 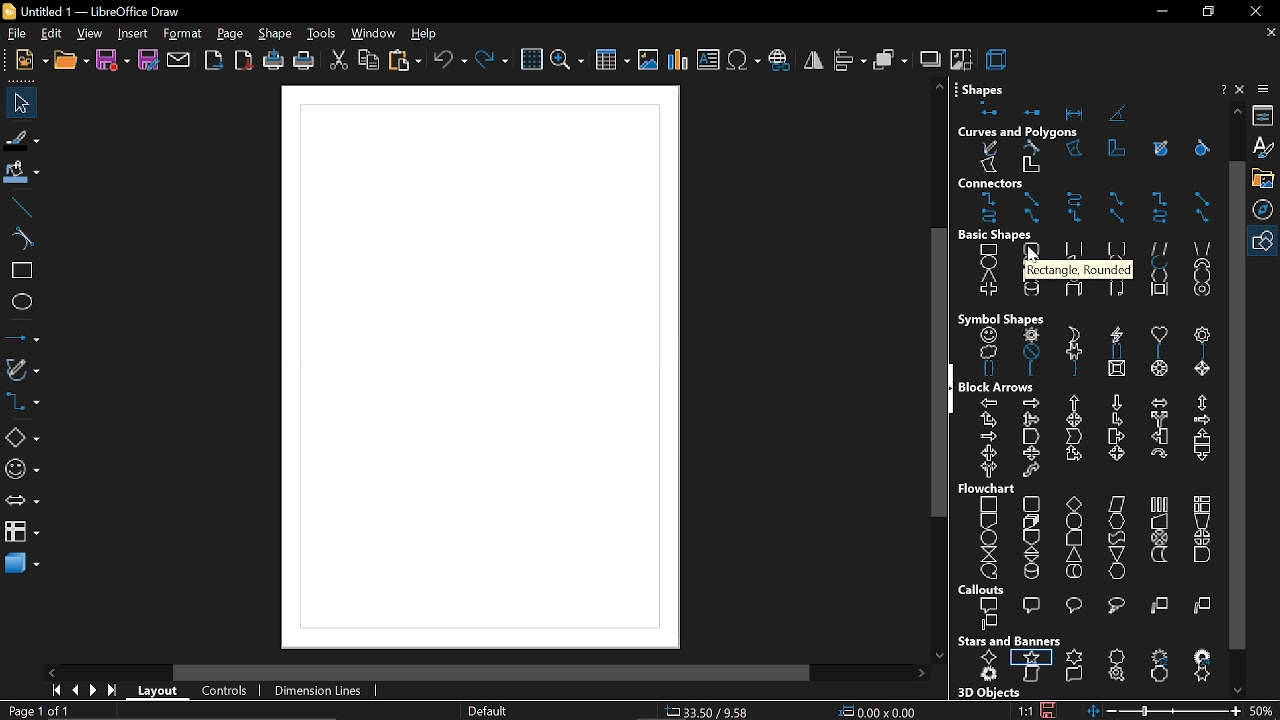 What do you see at coordinates (1221, 90) in the screenshot?
I see `help` at bounding box center [1221, 90].